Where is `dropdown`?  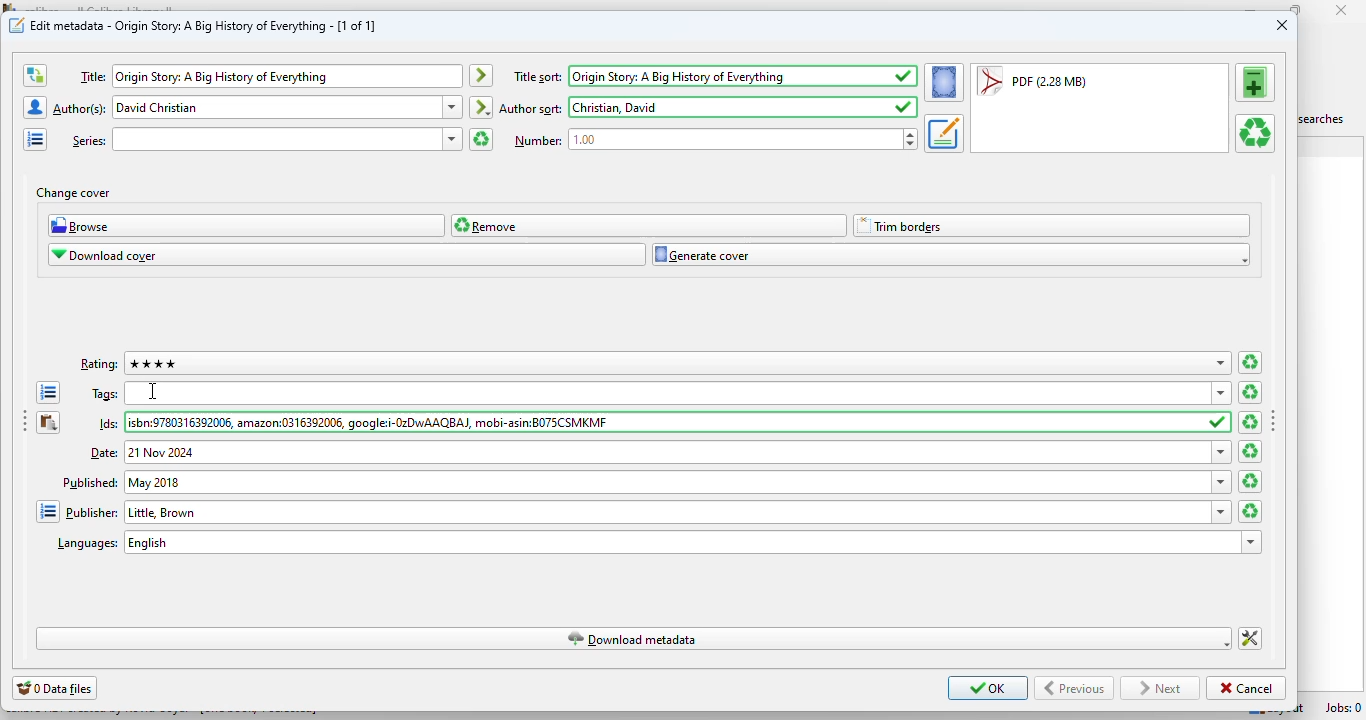 dropdown is located at coordinates (1222, 481).